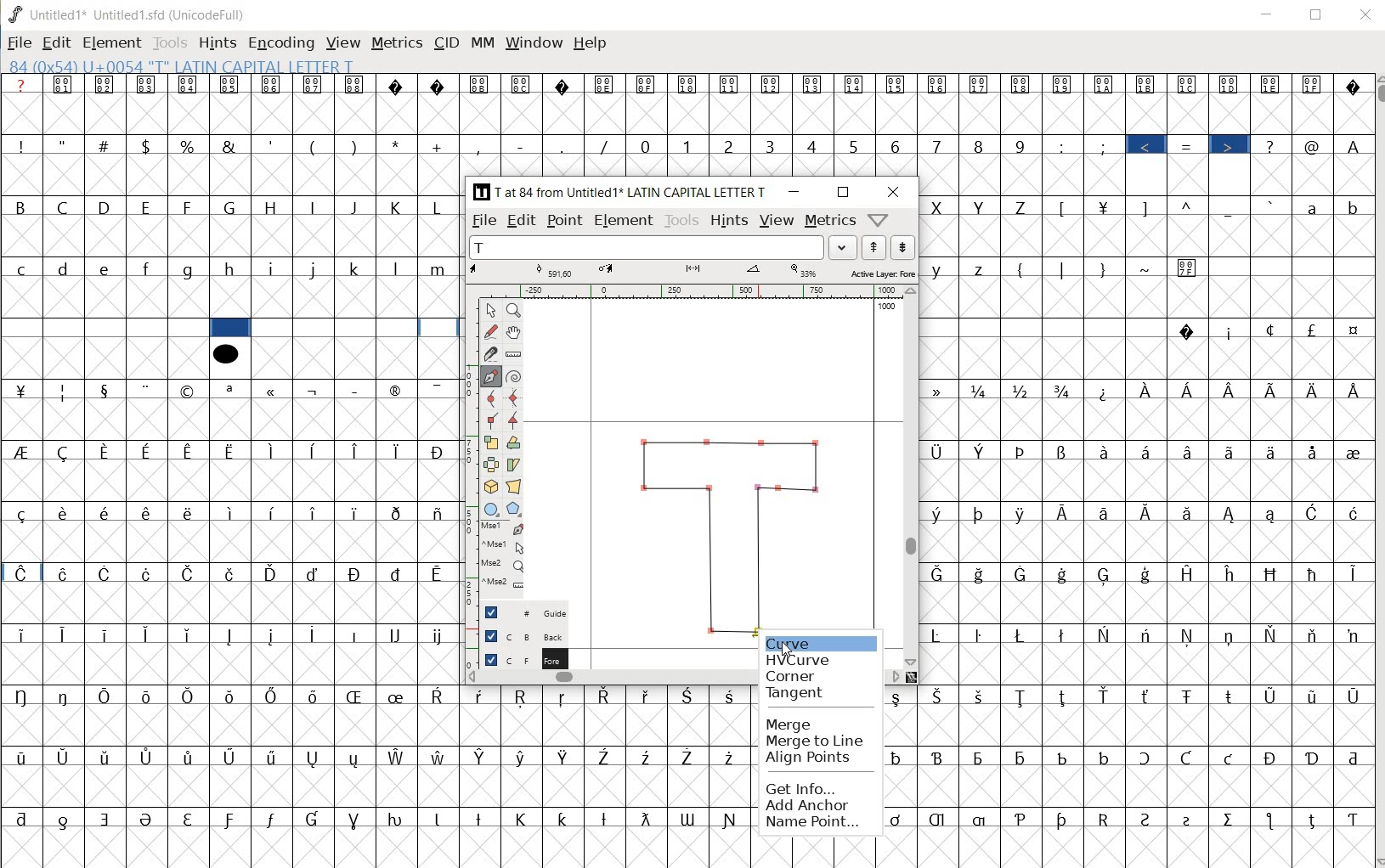  What do you see at coordinates (772, 85) in the screenshot?
I see `Symbol` at bounding box center [772, 85].